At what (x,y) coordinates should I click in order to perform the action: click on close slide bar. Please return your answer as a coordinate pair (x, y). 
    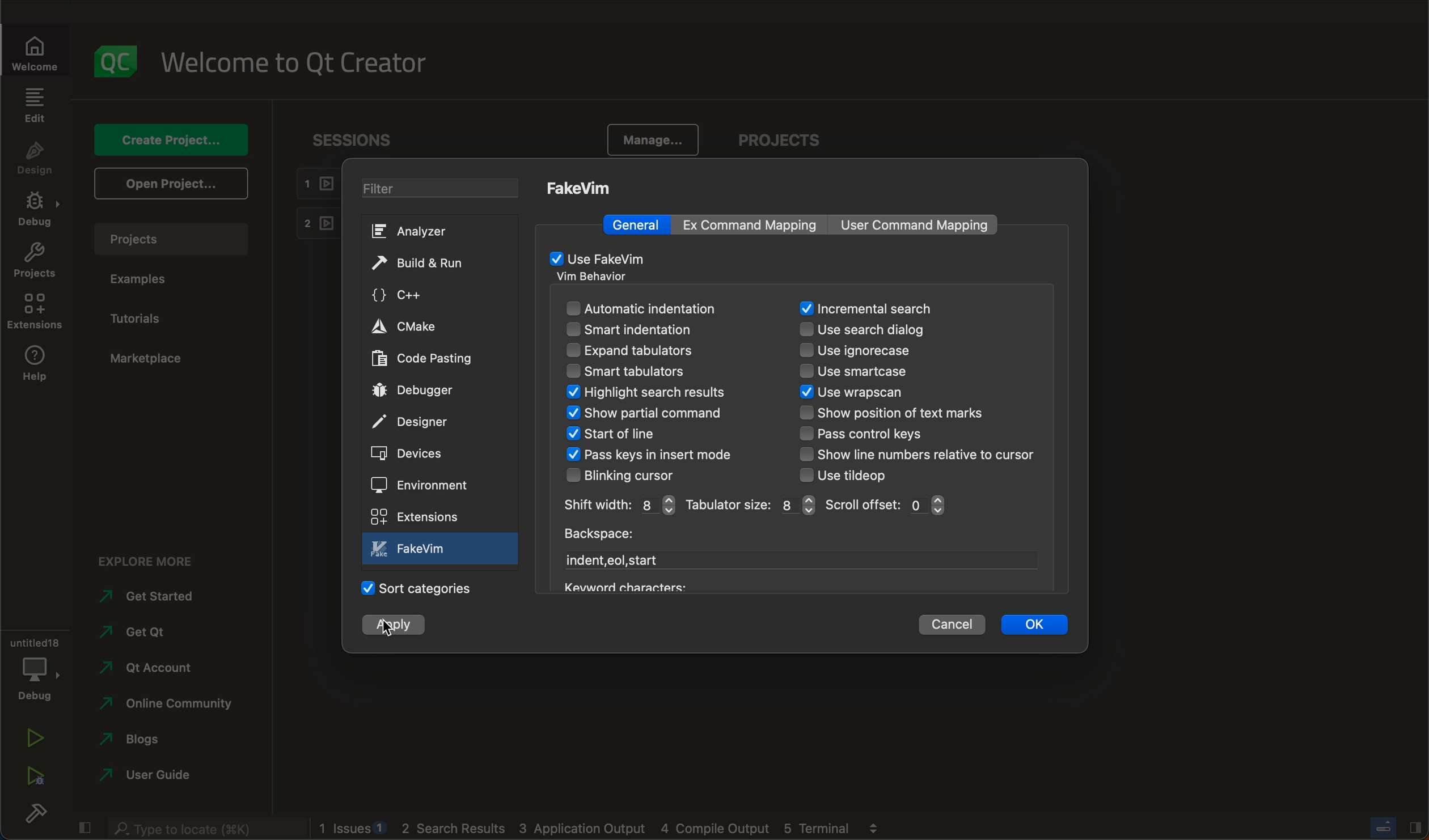
    Looking at the image, I should click on (1398, 829).